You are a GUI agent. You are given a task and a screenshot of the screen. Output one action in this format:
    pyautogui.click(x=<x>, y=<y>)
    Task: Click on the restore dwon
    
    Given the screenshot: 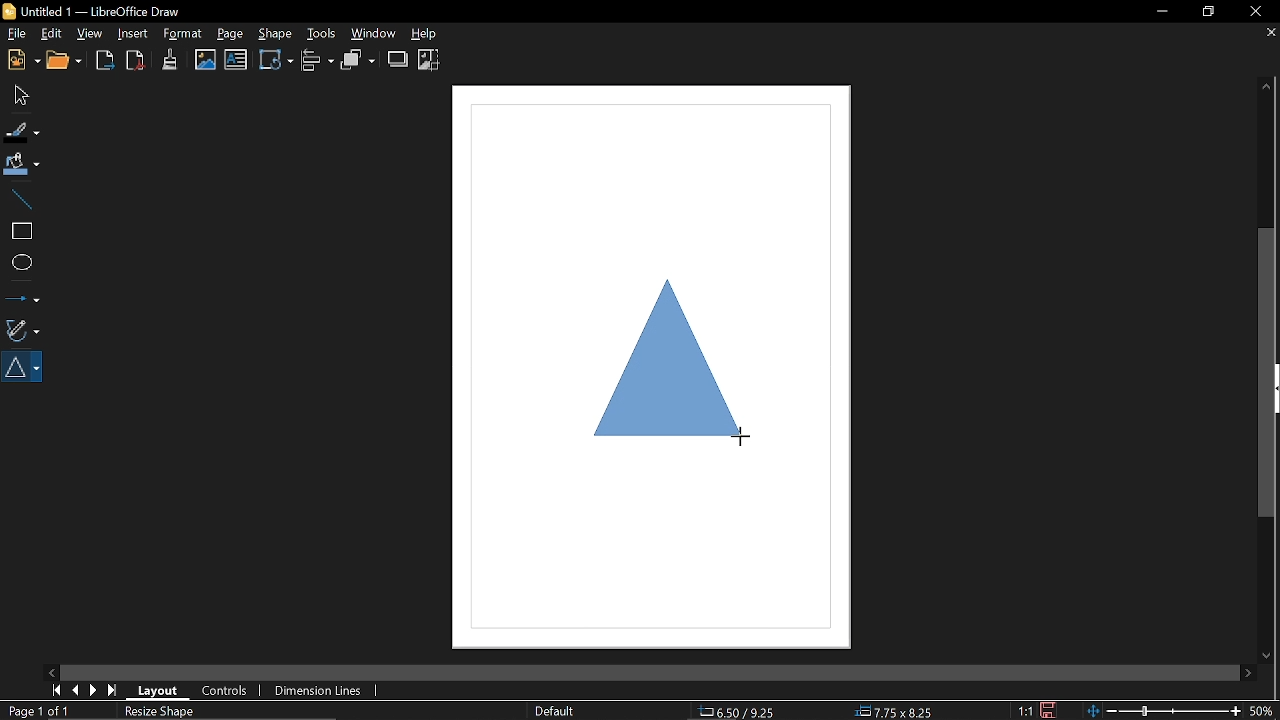 What is the action you would take?
    pyautogui.click(x=1209, y=13)
    